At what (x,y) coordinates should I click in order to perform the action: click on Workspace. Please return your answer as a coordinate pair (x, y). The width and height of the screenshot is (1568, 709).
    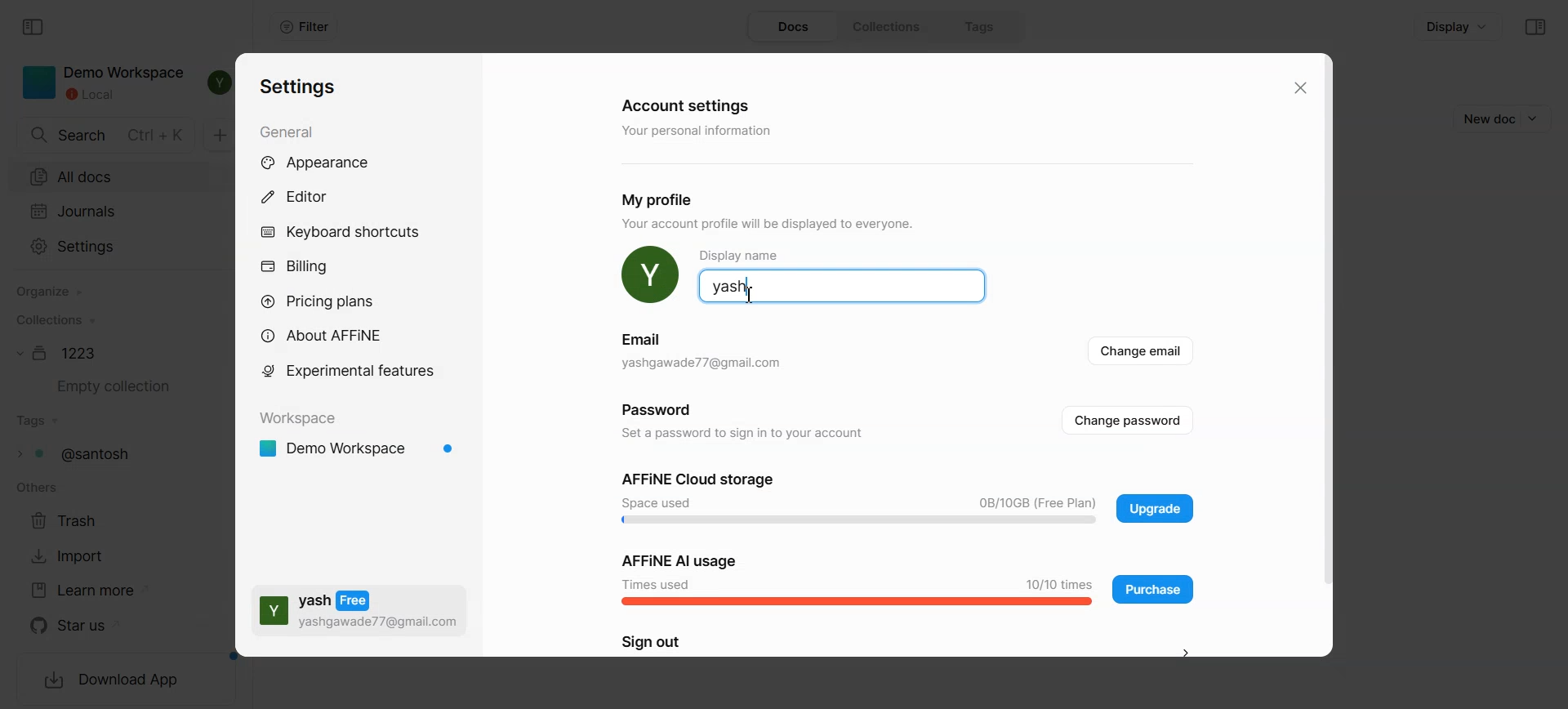
    Looking at the image, I should click on (303, 419).